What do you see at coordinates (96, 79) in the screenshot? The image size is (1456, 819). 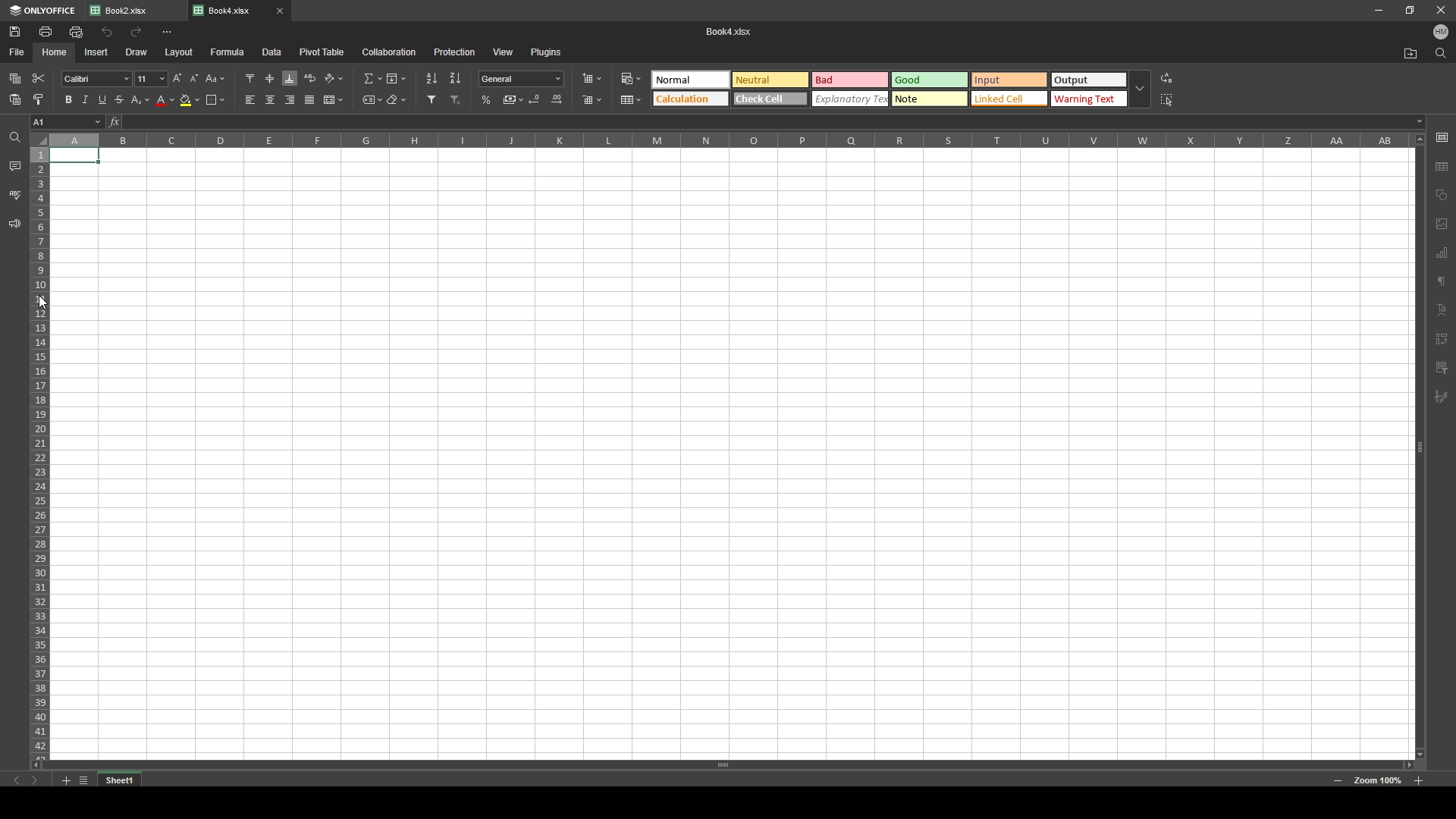 I see `font type` at bounding box center [96, 79].